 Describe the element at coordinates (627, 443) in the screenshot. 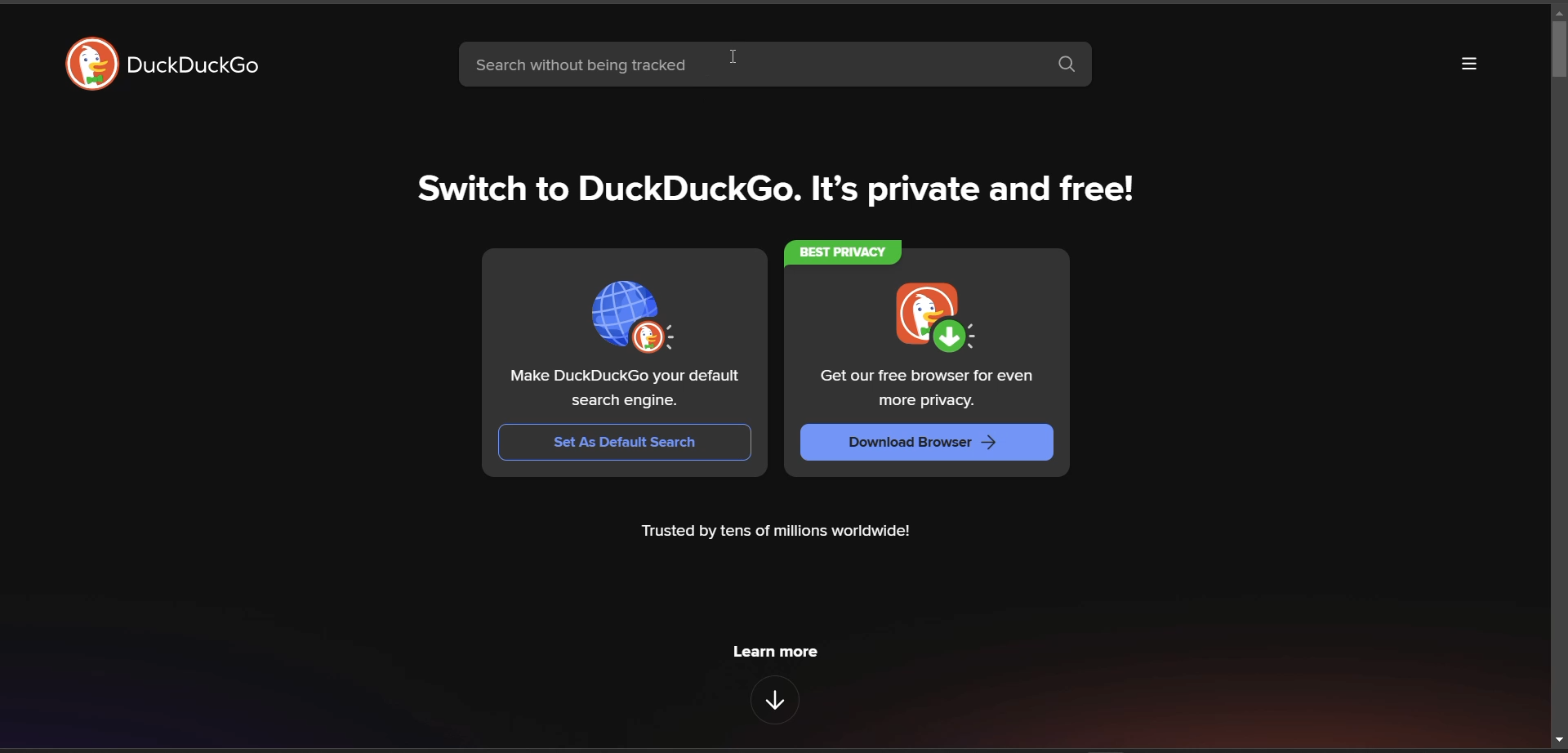

I see `set as default search` at that location.